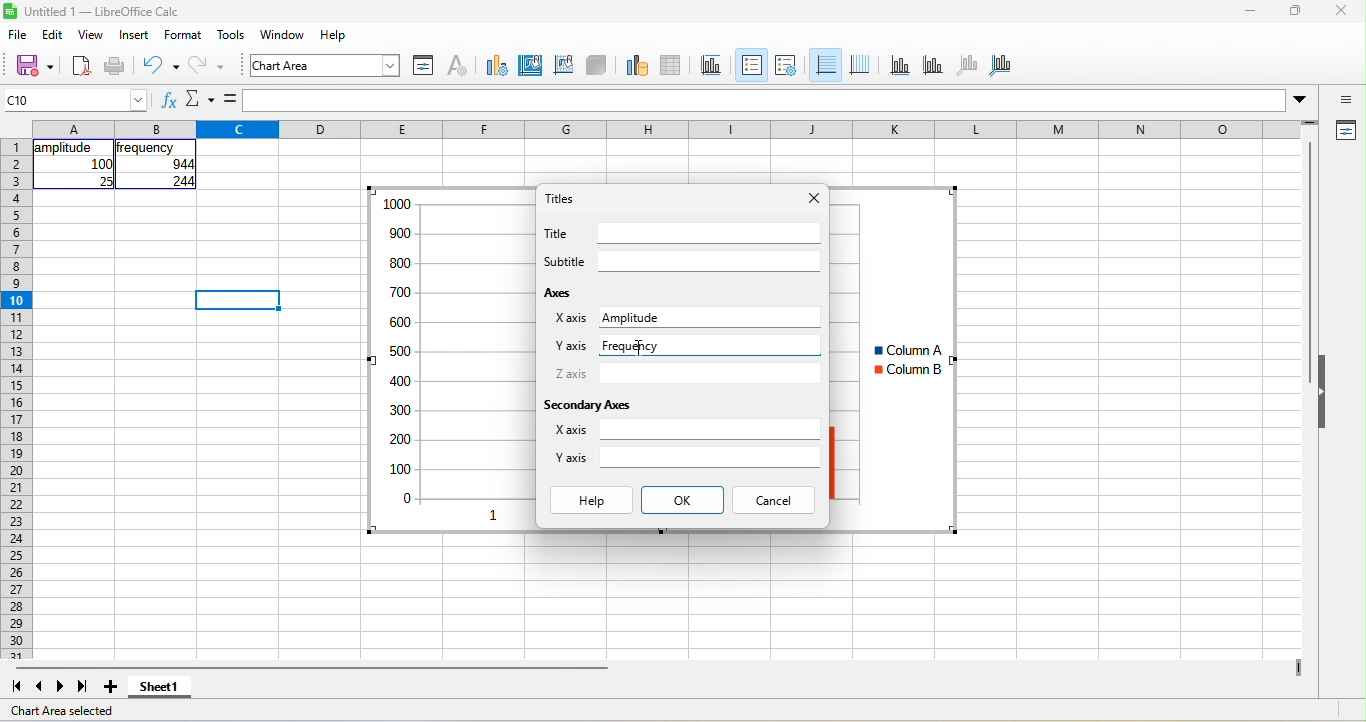 This screenshot has width=1366, height=722. I want to click on is equal to symbol, so click(230, 99).